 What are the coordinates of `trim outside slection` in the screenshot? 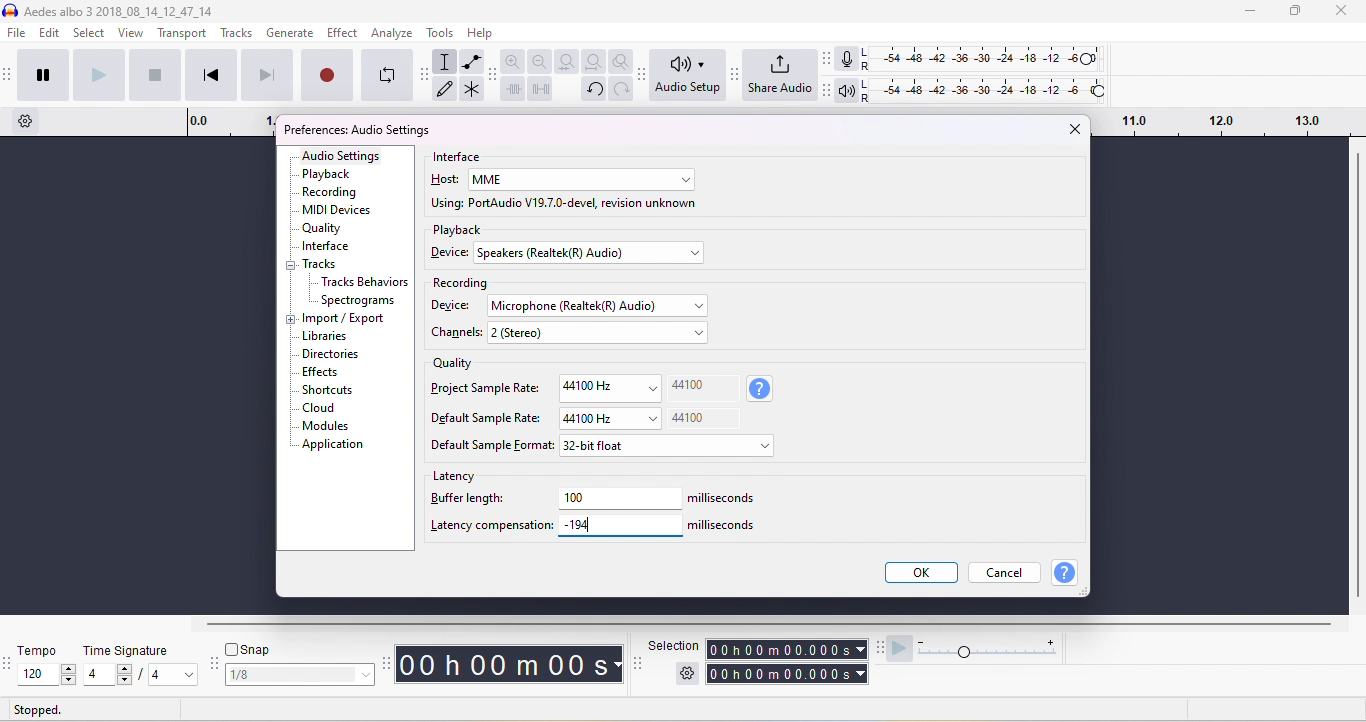 It's located at (516, 92).